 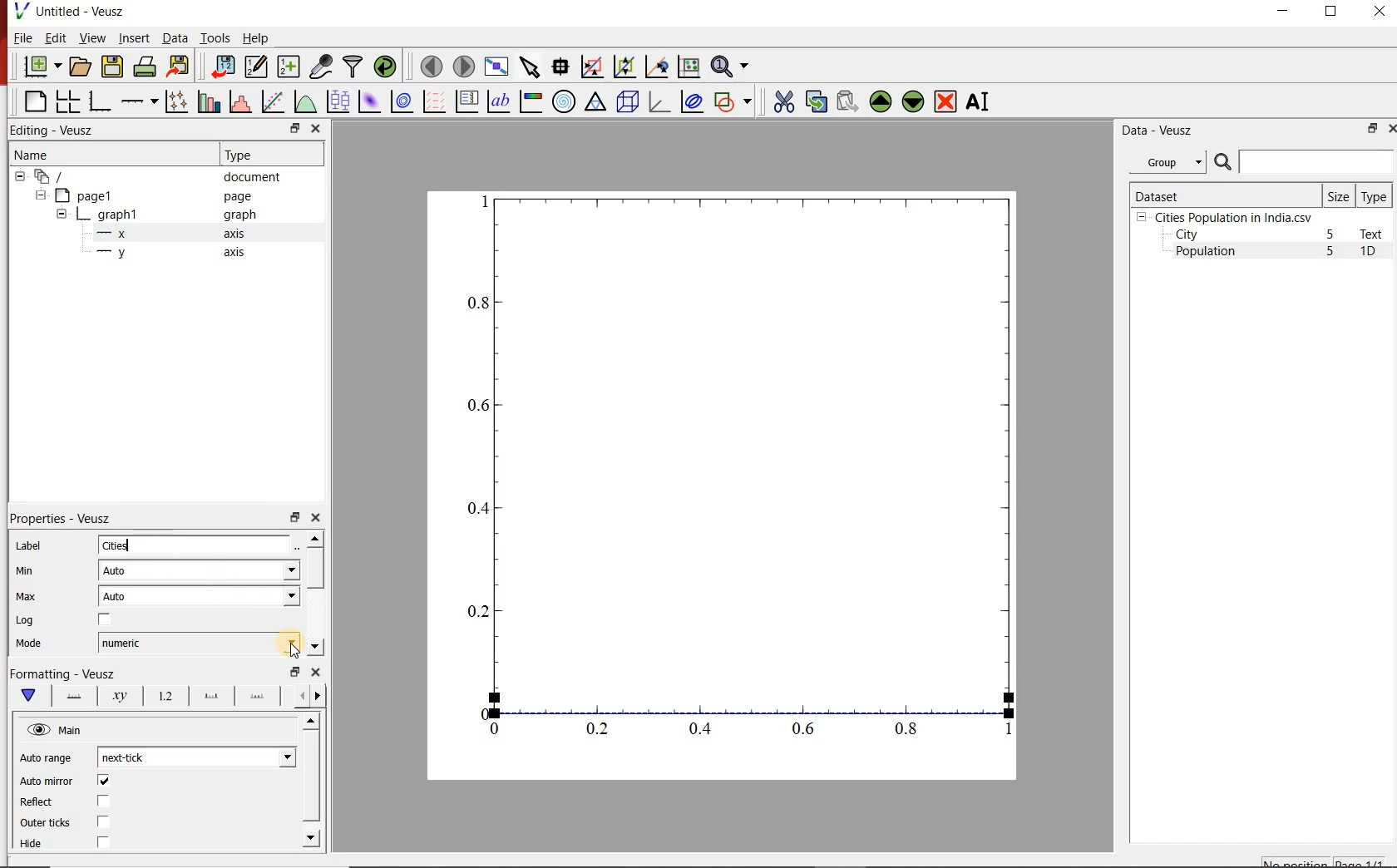 What do you see at coordinates (27, 621) in the screenshot?
I see `Log` at bounding box center [27, 621].